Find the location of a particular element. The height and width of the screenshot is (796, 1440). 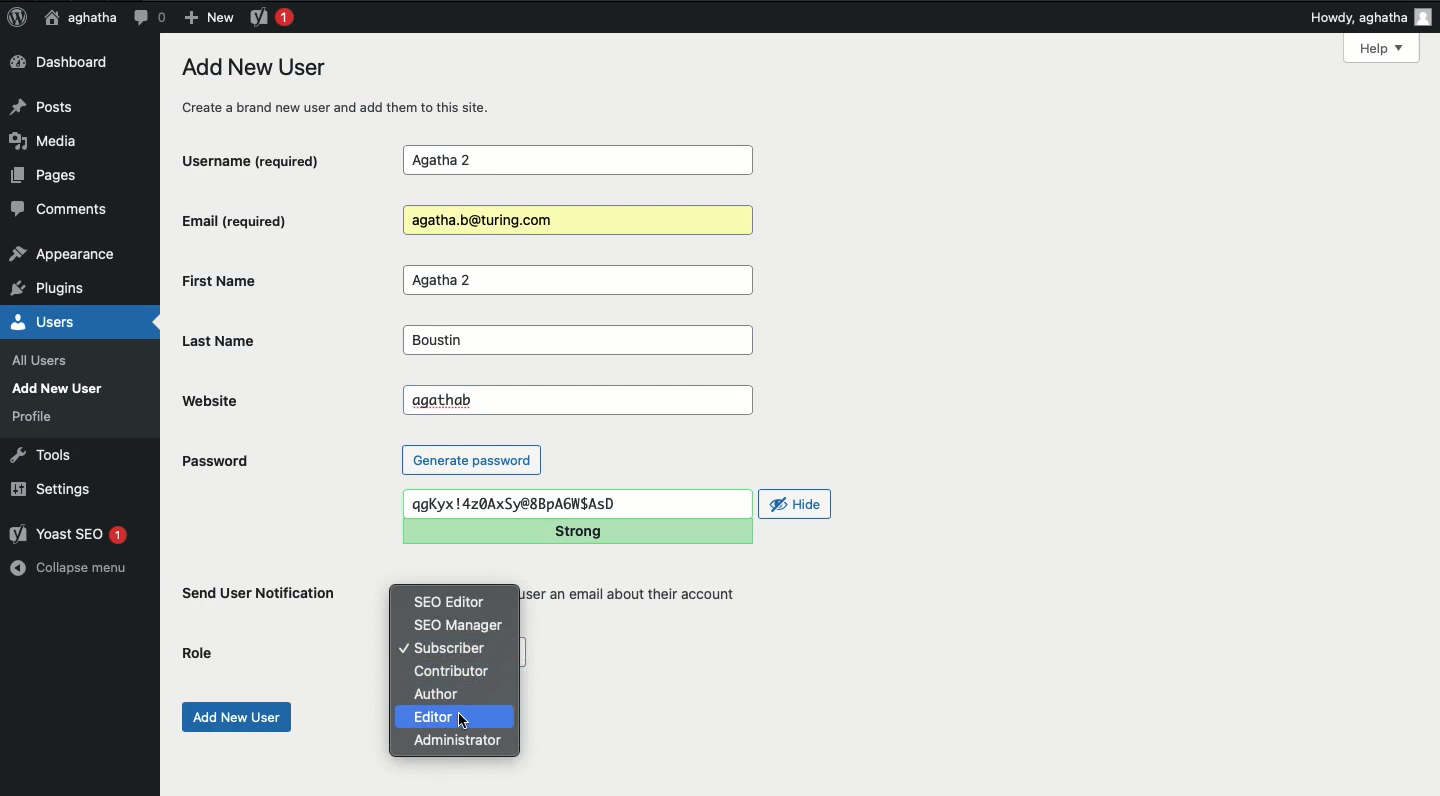

Boustin is located at coordinates (575, 341).